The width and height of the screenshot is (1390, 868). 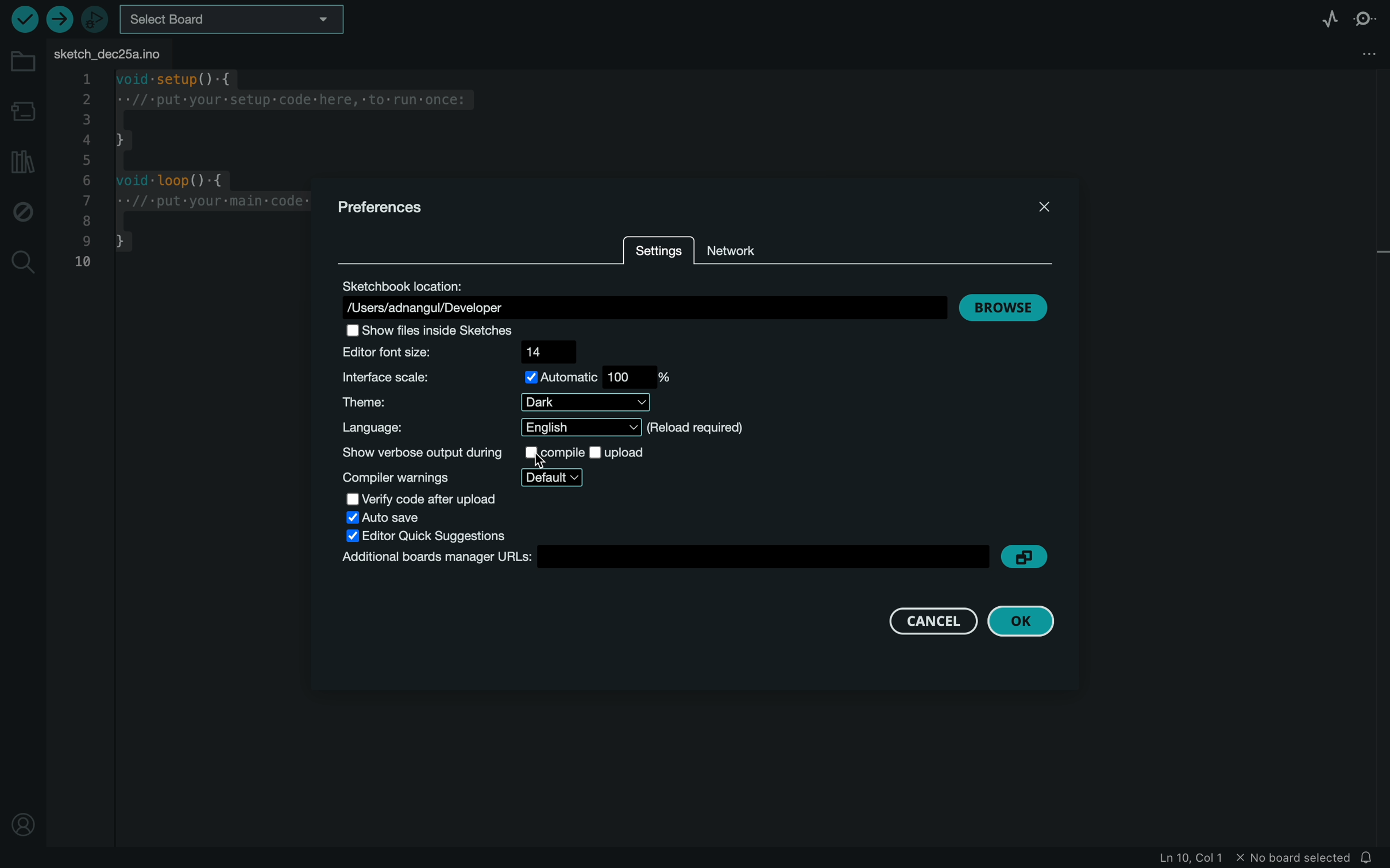 I want to click on folder, so click(x=24, y=63).